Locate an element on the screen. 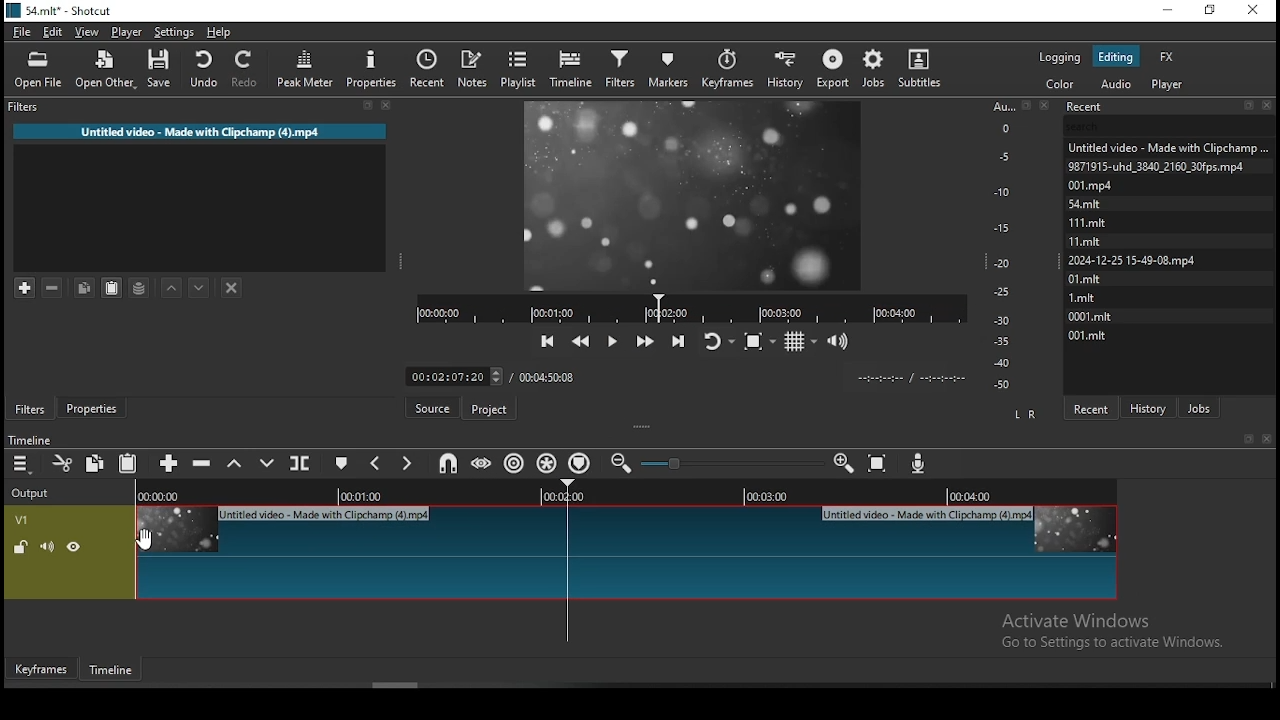 The width and height of the screenshot is (1280, 720). jobs is located at coordinates (1201, 408).